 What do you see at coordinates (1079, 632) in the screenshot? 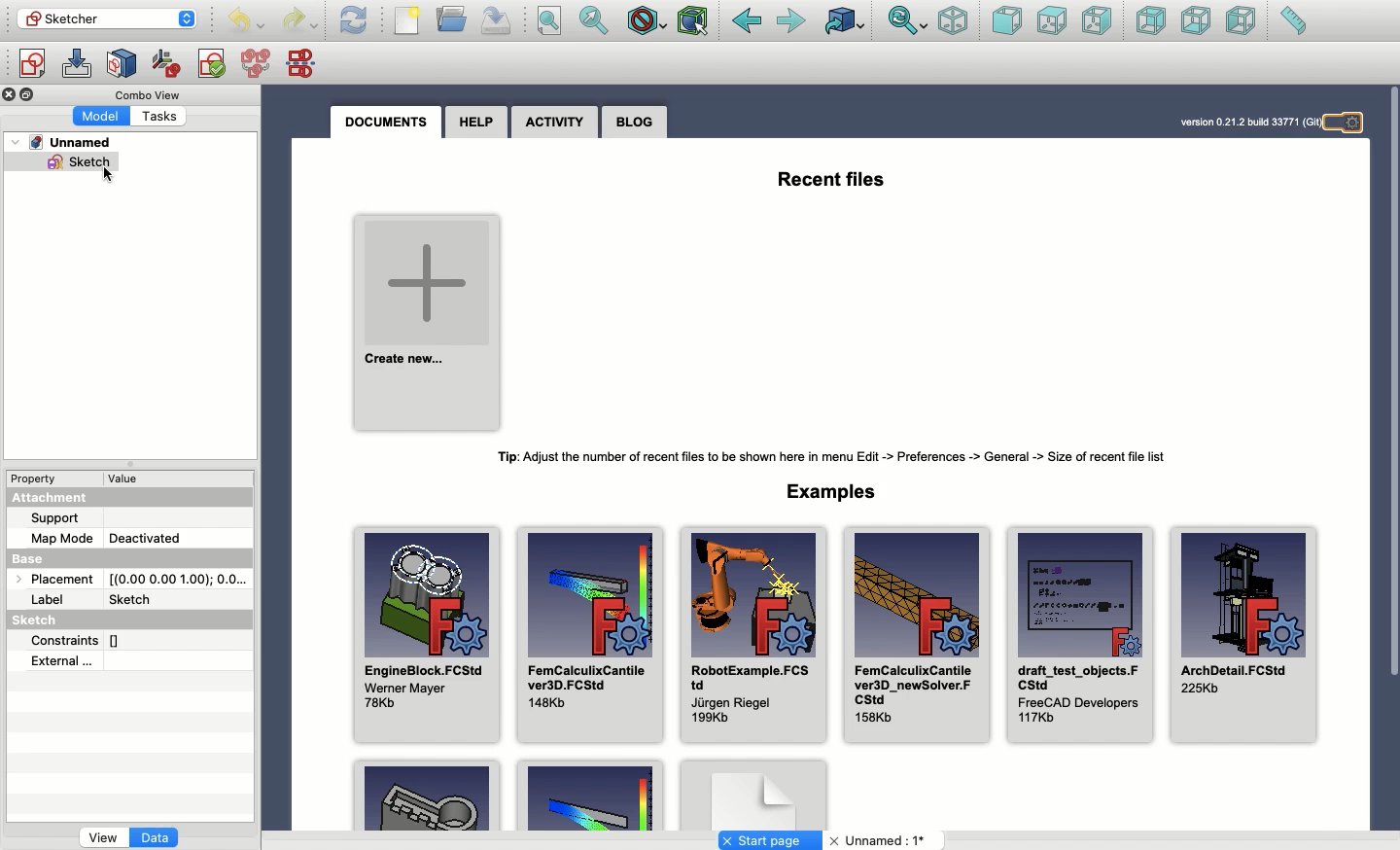
I see `draft_test_objects` at bounding box center [1079, 632].